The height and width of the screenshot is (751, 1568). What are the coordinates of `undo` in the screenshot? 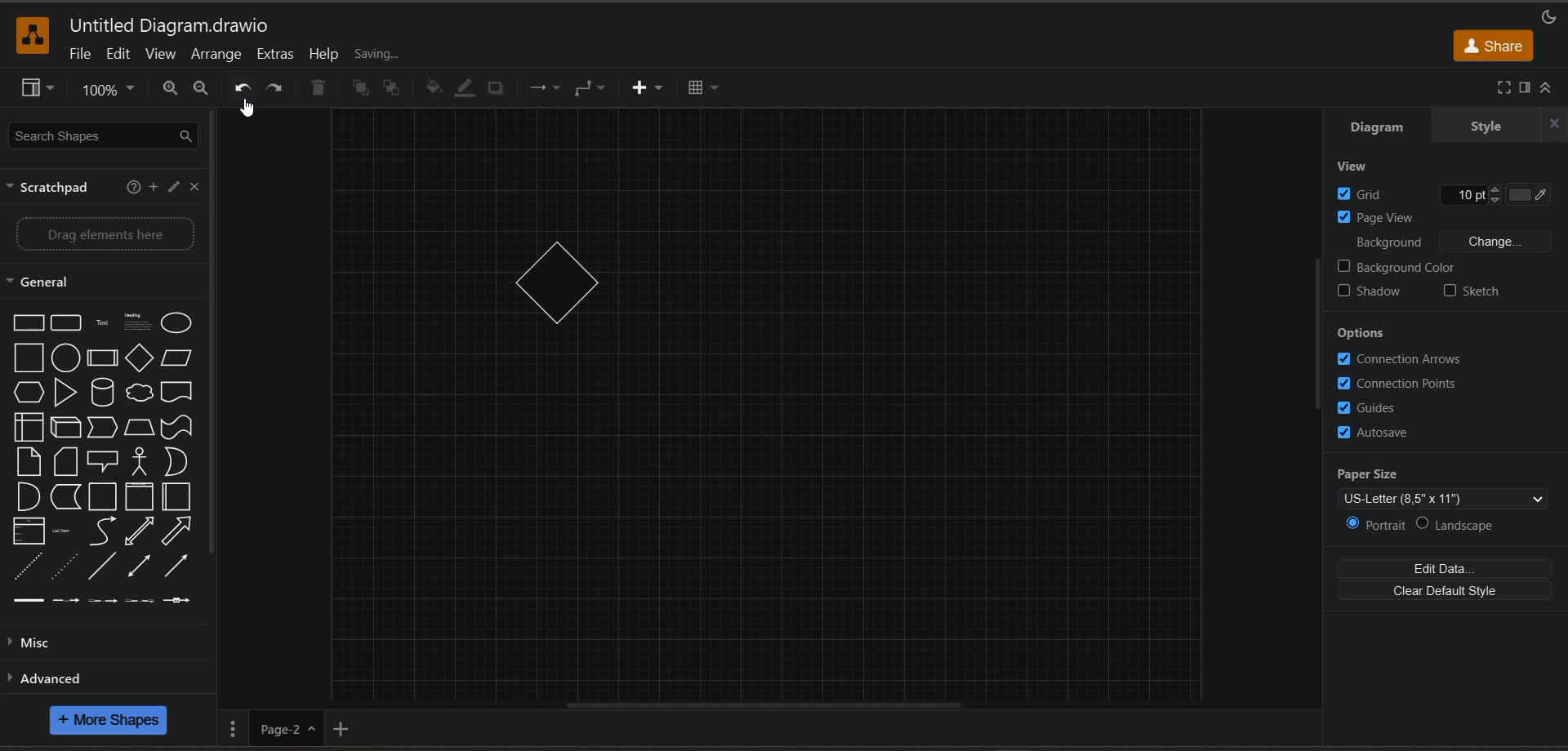 It's located at (244, 88).